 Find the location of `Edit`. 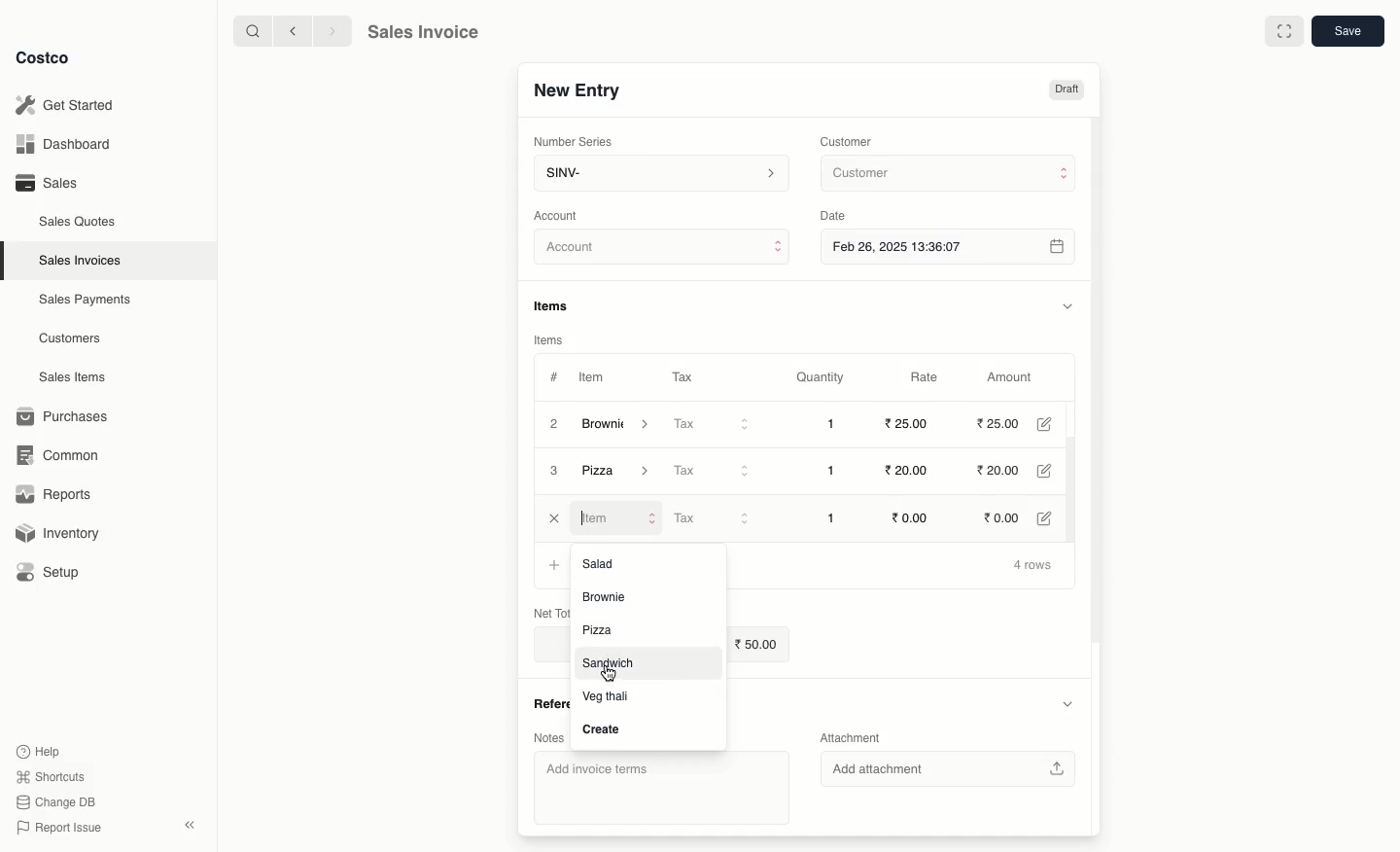

Edit is located at coordinates (1052, 424).